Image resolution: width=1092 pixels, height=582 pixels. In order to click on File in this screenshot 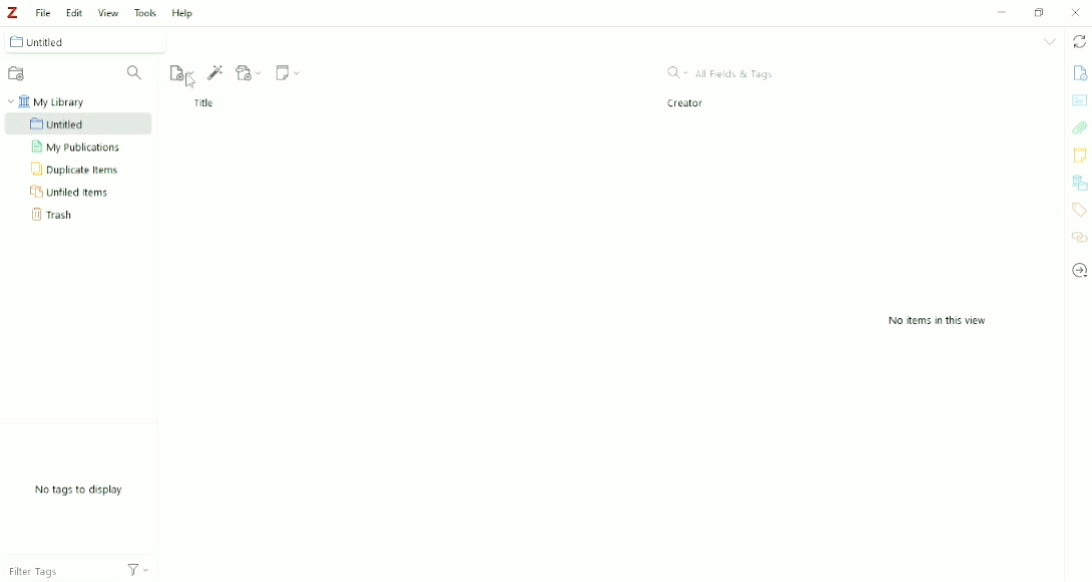, I will do `click(42, 12)`.